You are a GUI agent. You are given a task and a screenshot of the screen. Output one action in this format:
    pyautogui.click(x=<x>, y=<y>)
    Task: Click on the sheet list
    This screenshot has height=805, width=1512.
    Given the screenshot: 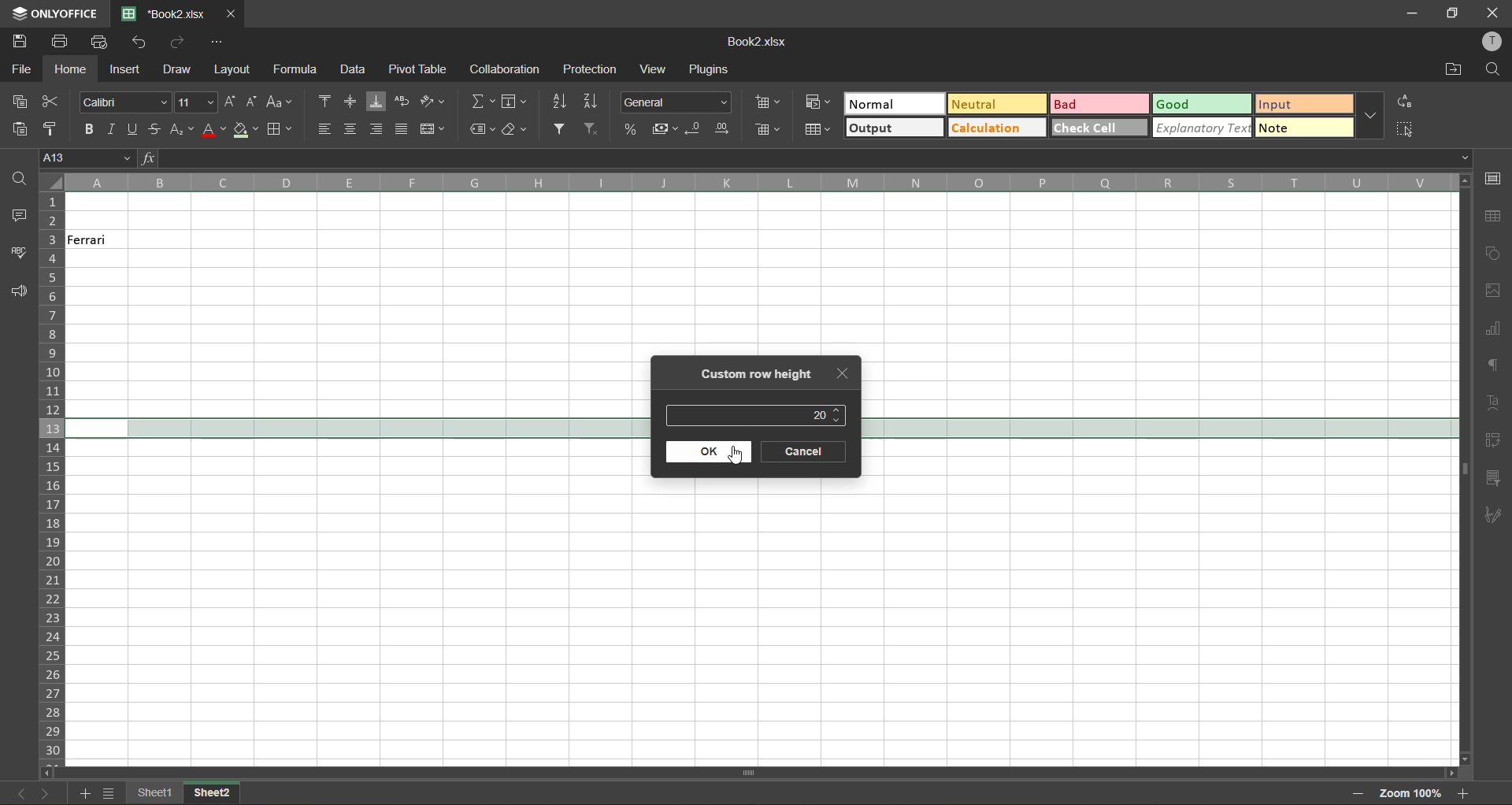 What is the action you would take?
    pyautogui.click(x=113, y=795)
    